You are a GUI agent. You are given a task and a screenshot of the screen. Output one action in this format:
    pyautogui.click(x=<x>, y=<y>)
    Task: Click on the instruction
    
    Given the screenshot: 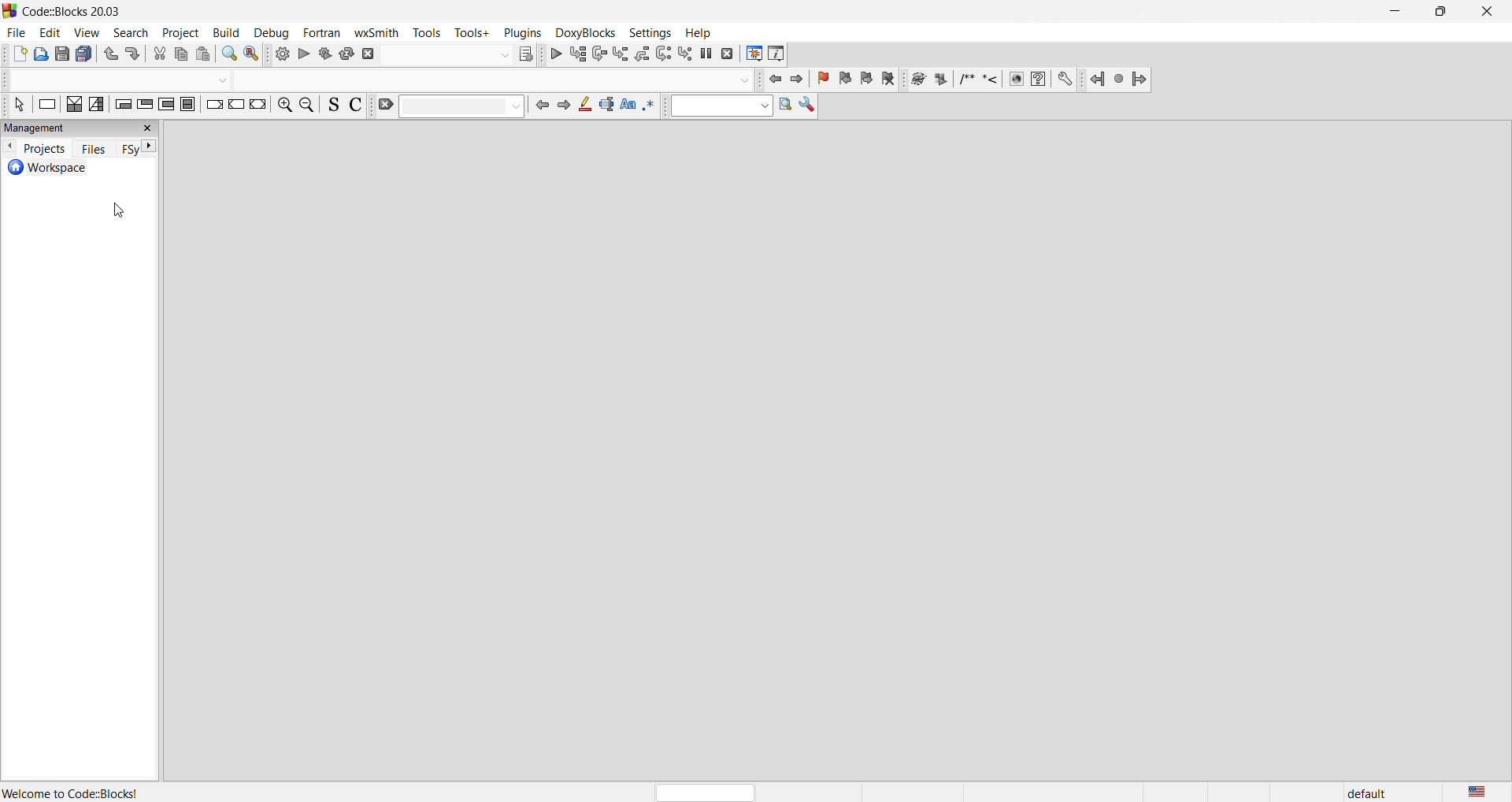 What is the action you would take?
    pyautogui.click(x=46, y=105)
    